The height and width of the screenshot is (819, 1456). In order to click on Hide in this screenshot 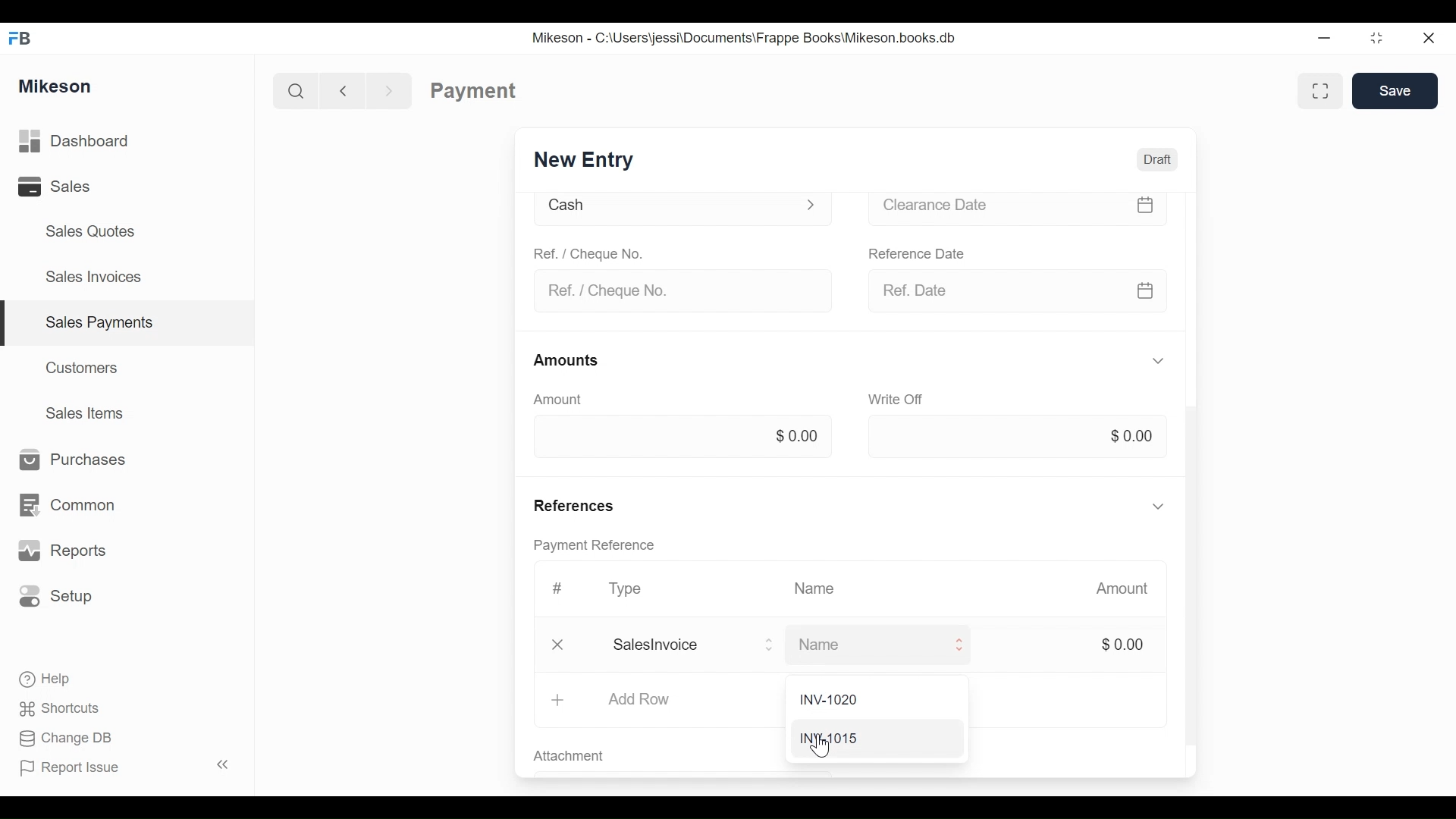, I will do `click(1159, 504)`.